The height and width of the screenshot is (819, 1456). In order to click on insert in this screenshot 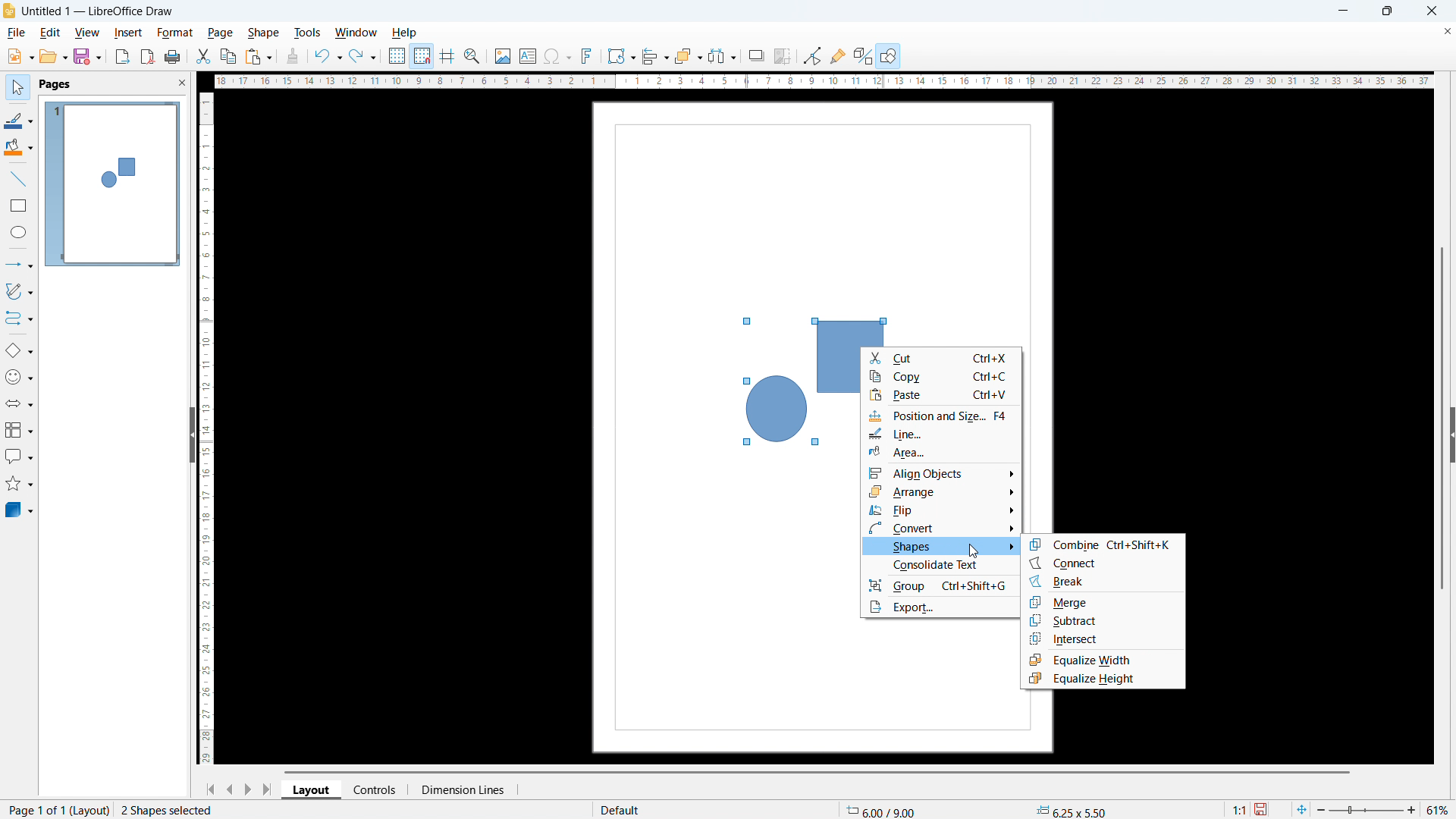, I will do `click(128, 33)`.